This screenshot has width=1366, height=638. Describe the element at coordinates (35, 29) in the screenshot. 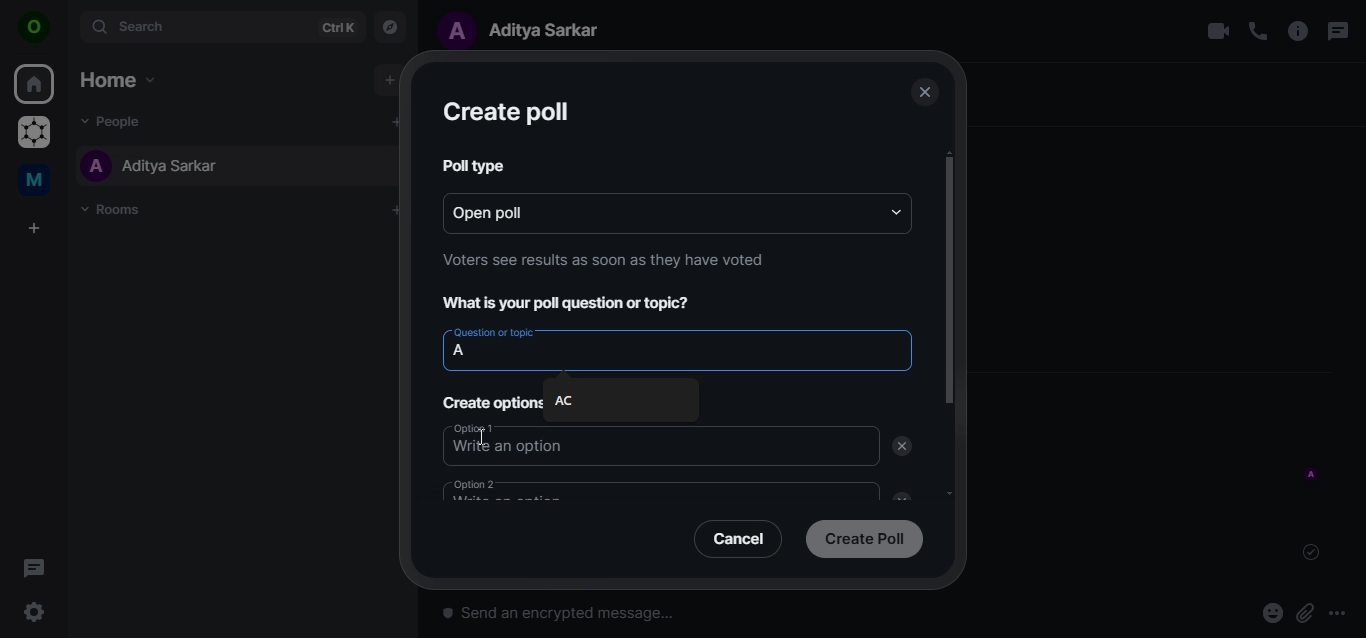

I see `view profile` at that location.